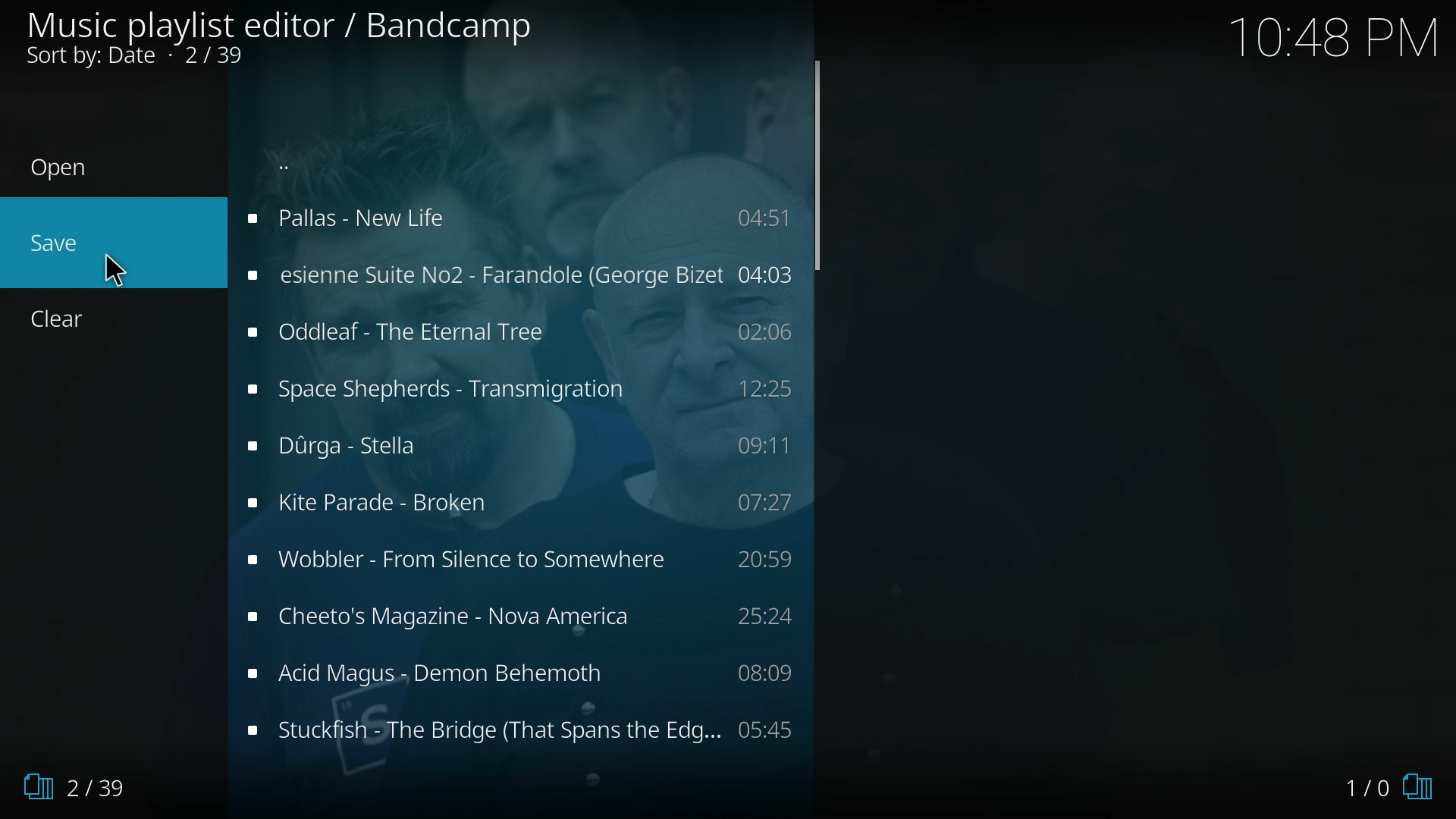 This screenshot has width=1456, height=819. I want to click on song, so click(517, 274).